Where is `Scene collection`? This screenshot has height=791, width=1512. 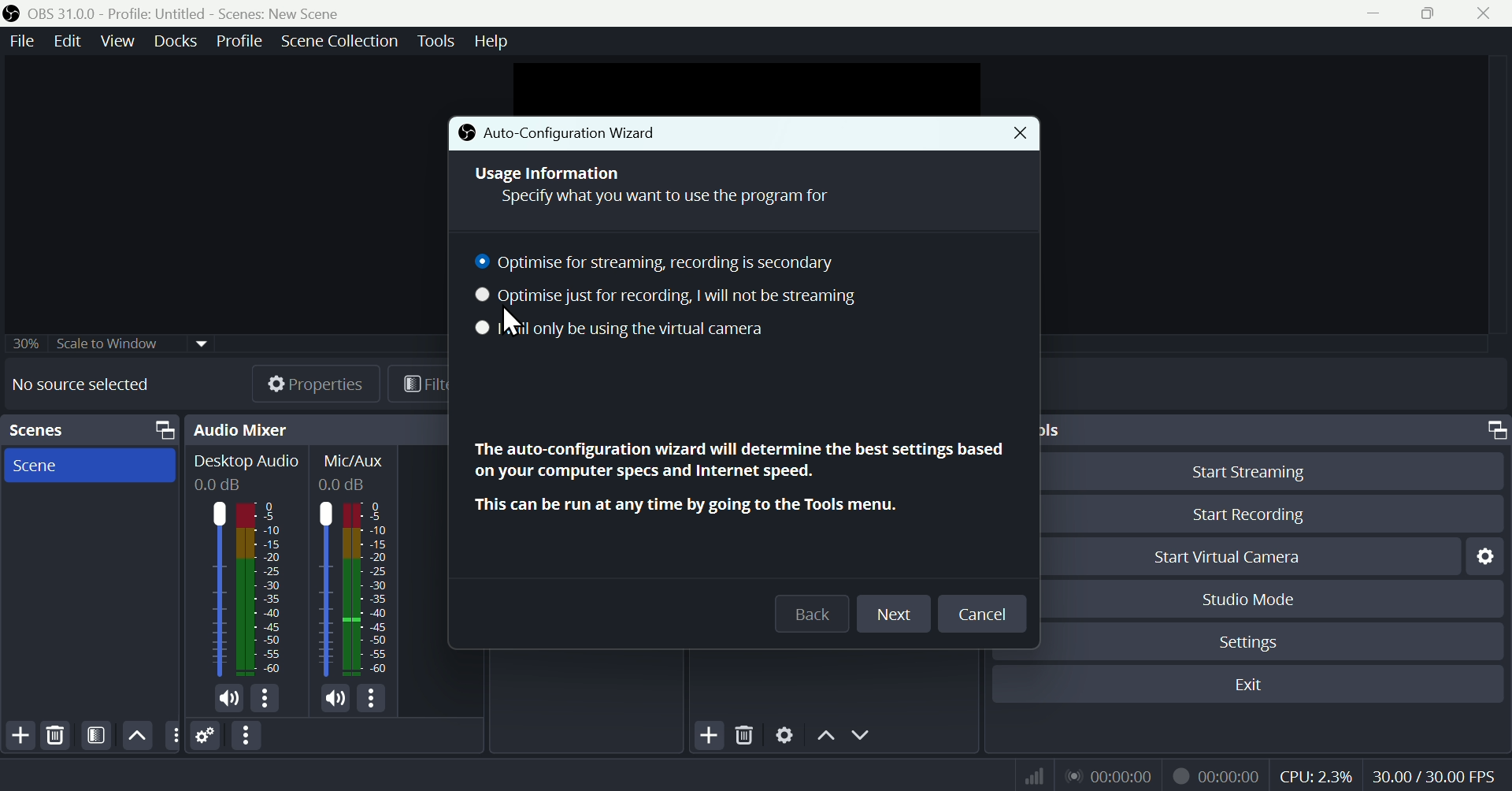
Scene collection is located at coordinates (343, 43).